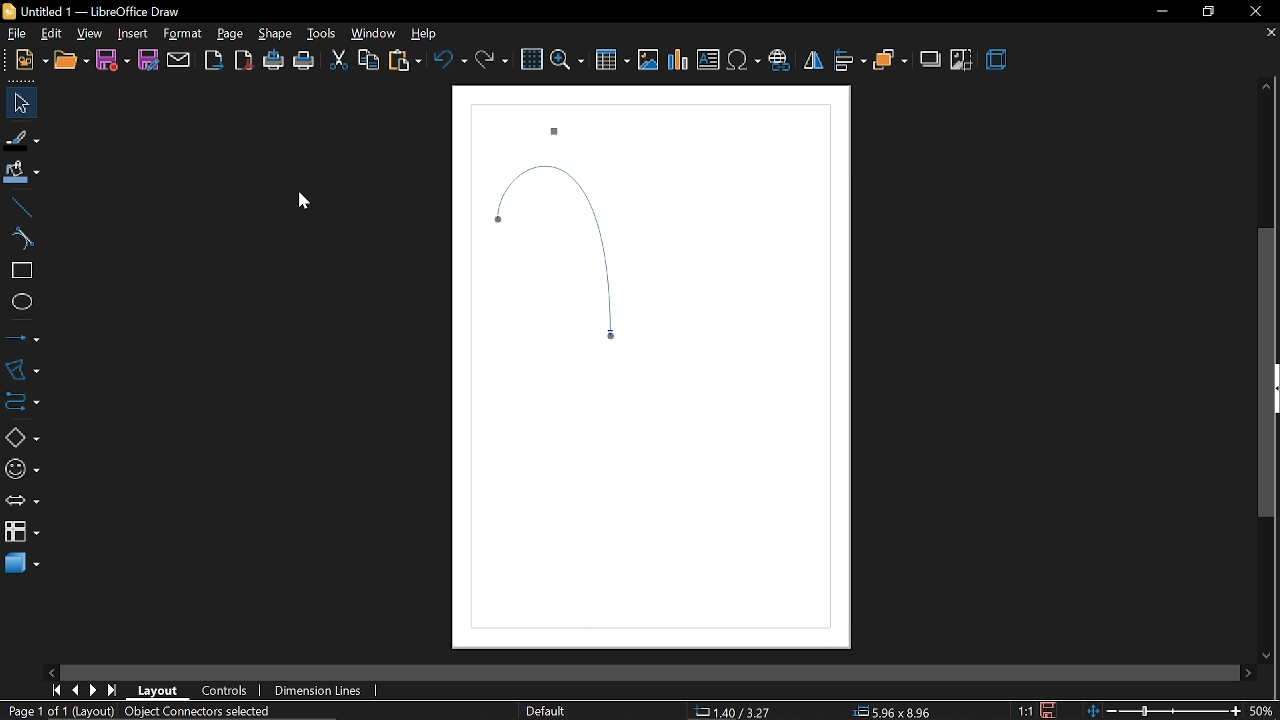 The width and height of the screenshot is (1280, 720). What do you see at coordinates (226, 692) in the screenshot?
I see `controls` at bounding box center [226, 692].